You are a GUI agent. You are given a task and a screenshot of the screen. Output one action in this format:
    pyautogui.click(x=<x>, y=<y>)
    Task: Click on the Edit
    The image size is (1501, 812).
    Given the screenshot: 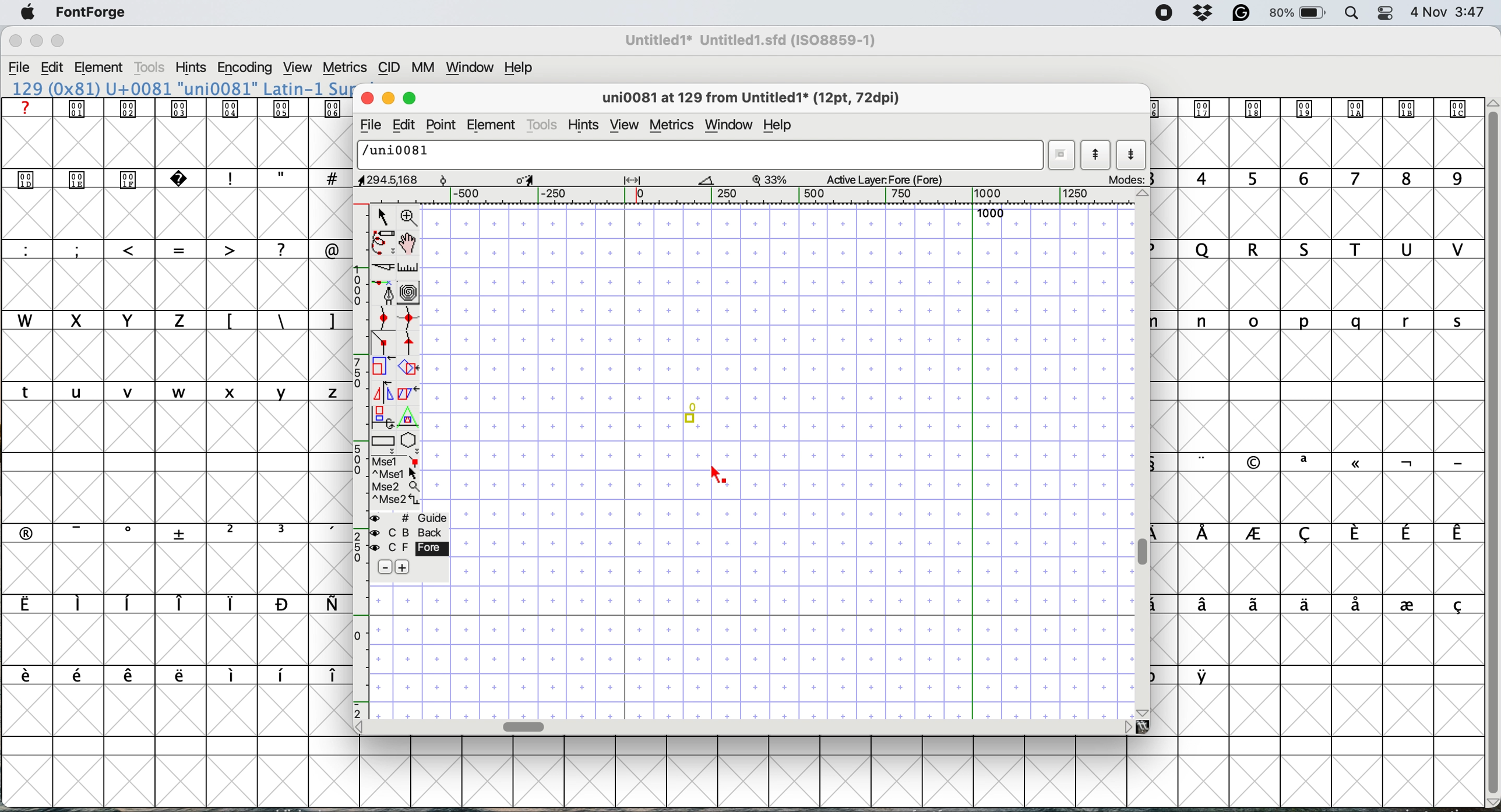 What is the action you would take?
    pyautogui.click(x=52, y=67)
    